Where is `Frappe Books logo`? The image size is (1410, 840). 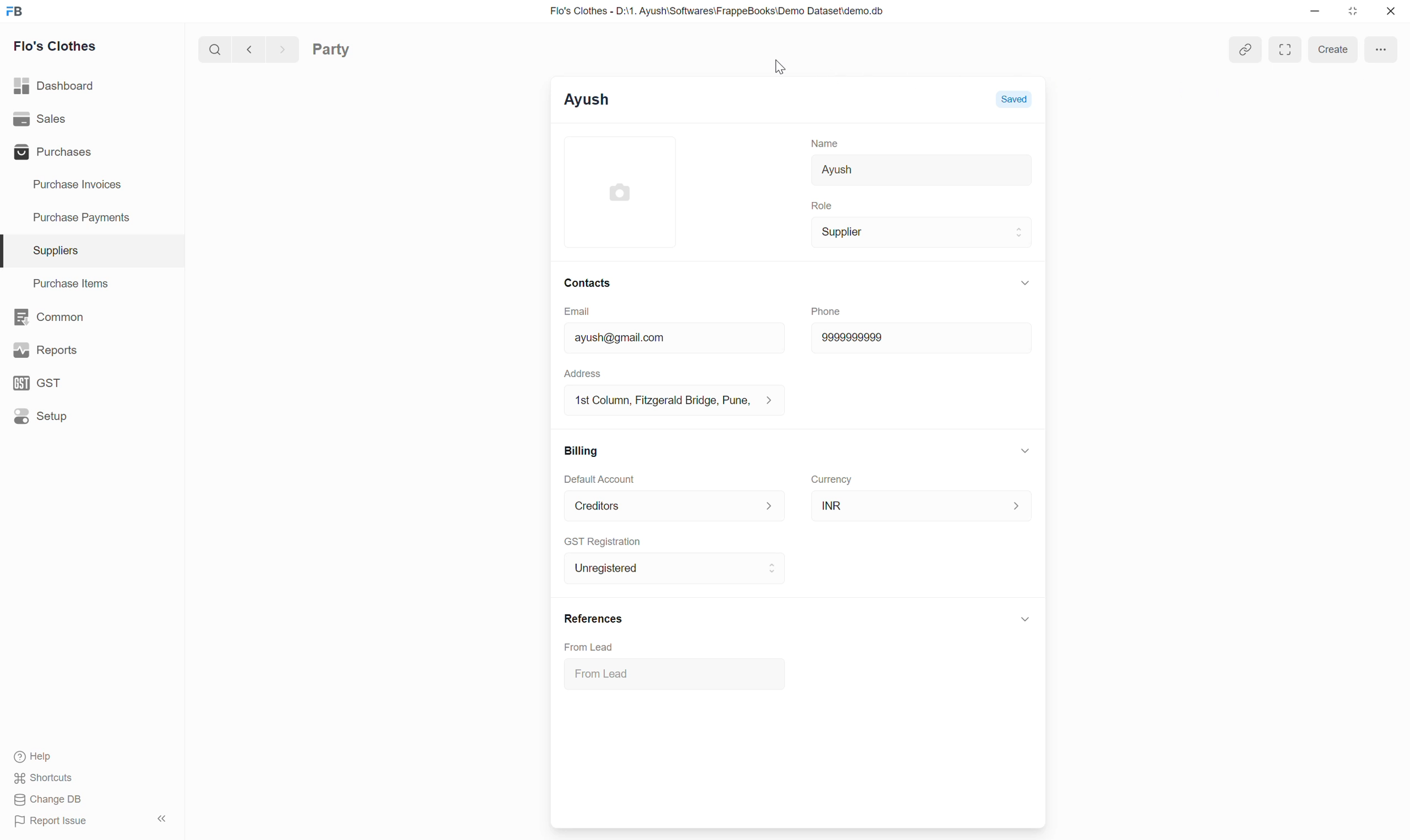 Frappe Books logo is located at coordinates (14, 11).